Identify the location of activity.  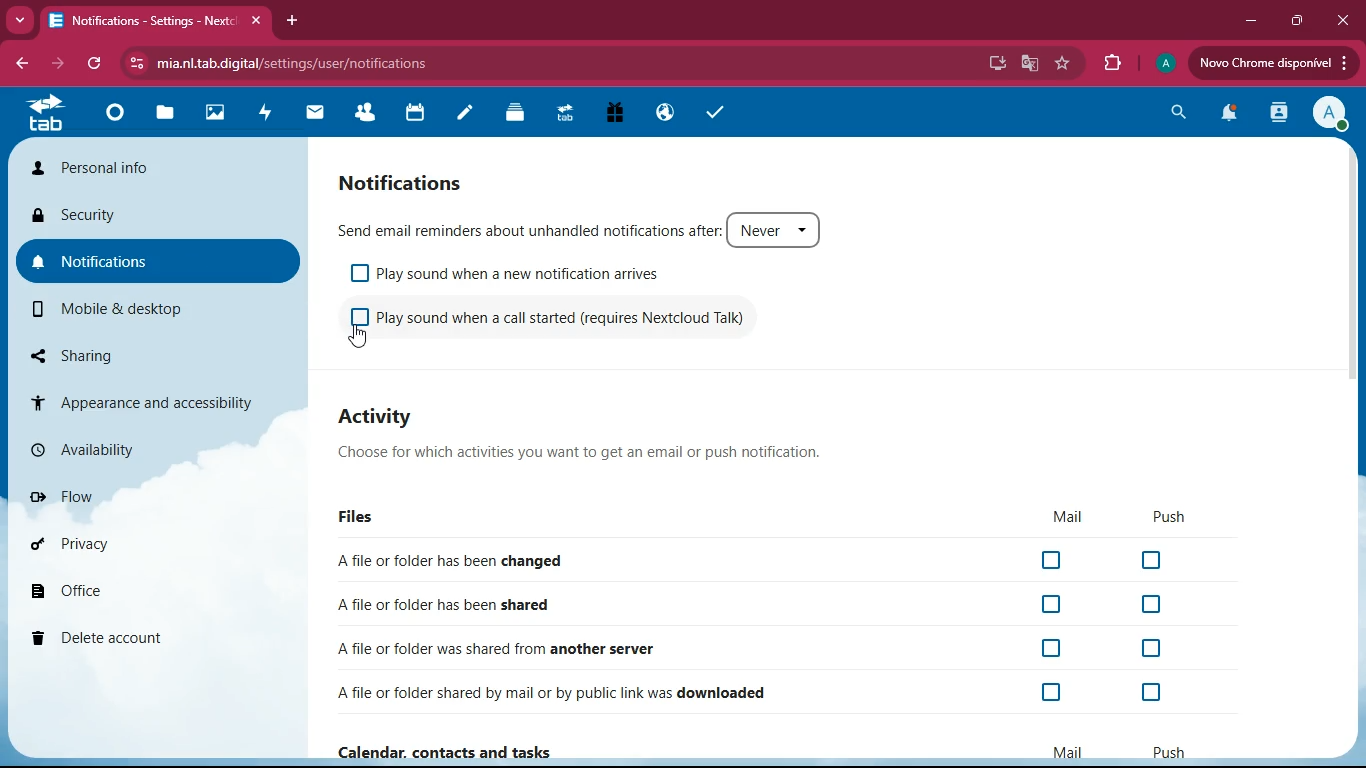
(271, 117).